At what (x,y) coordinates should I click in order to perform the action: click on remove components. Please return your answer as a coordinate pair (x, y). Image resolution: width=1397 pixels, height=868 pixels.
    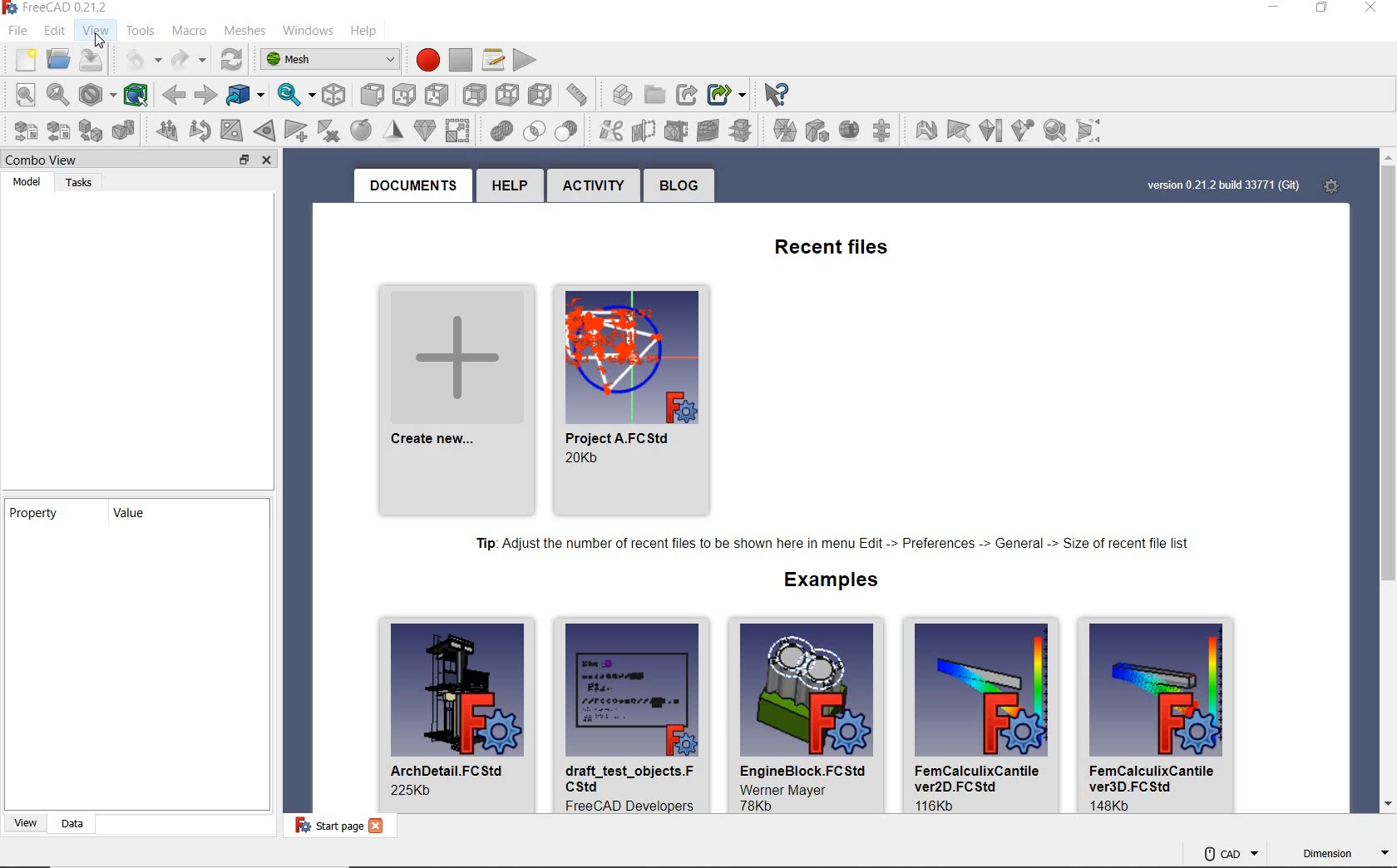
    Looking at the image, I should click on (325, 131).